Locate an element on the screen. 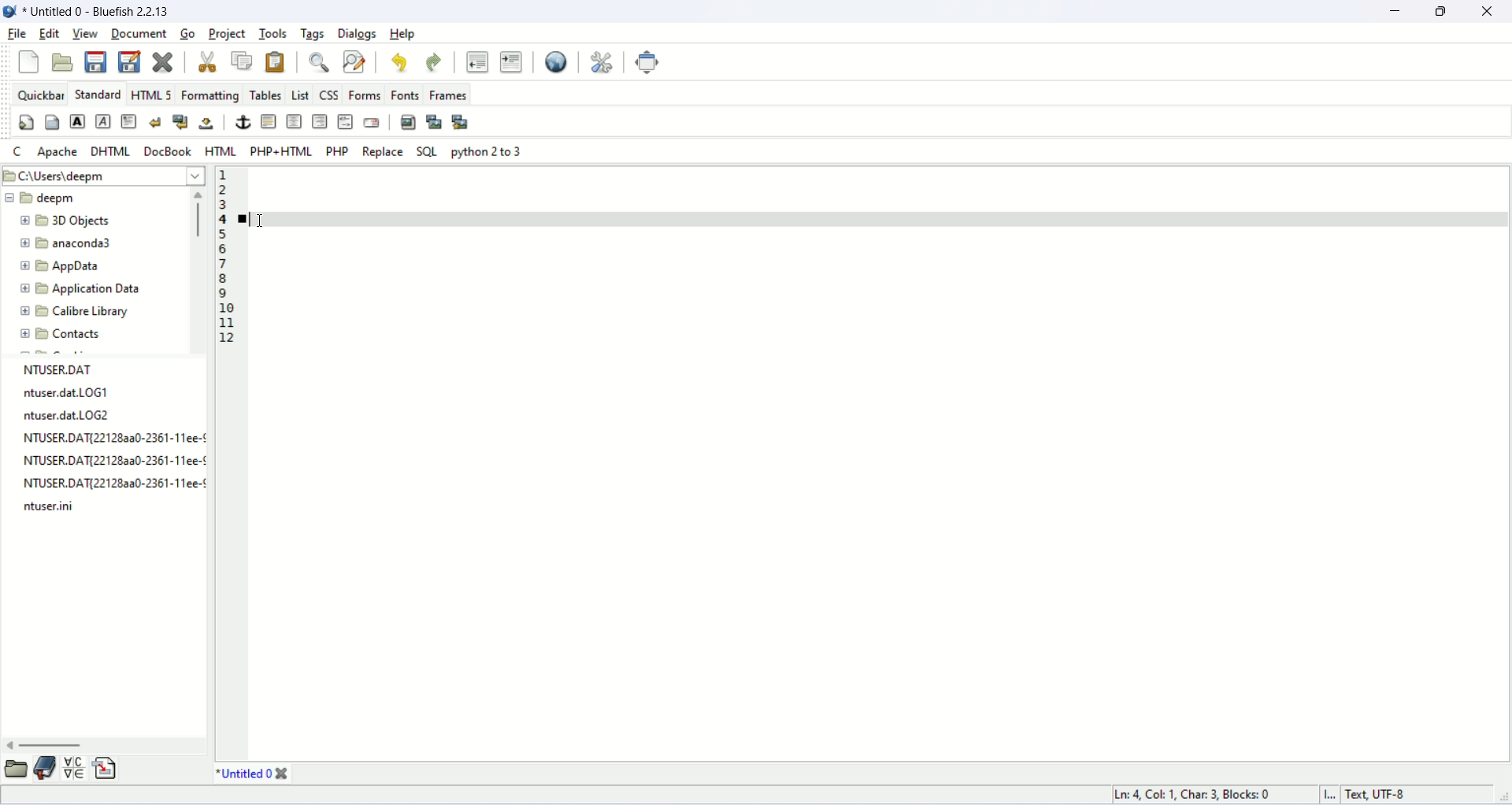 This screenshot has width=1512, height=805. folder is located at coordinates (15, 770).